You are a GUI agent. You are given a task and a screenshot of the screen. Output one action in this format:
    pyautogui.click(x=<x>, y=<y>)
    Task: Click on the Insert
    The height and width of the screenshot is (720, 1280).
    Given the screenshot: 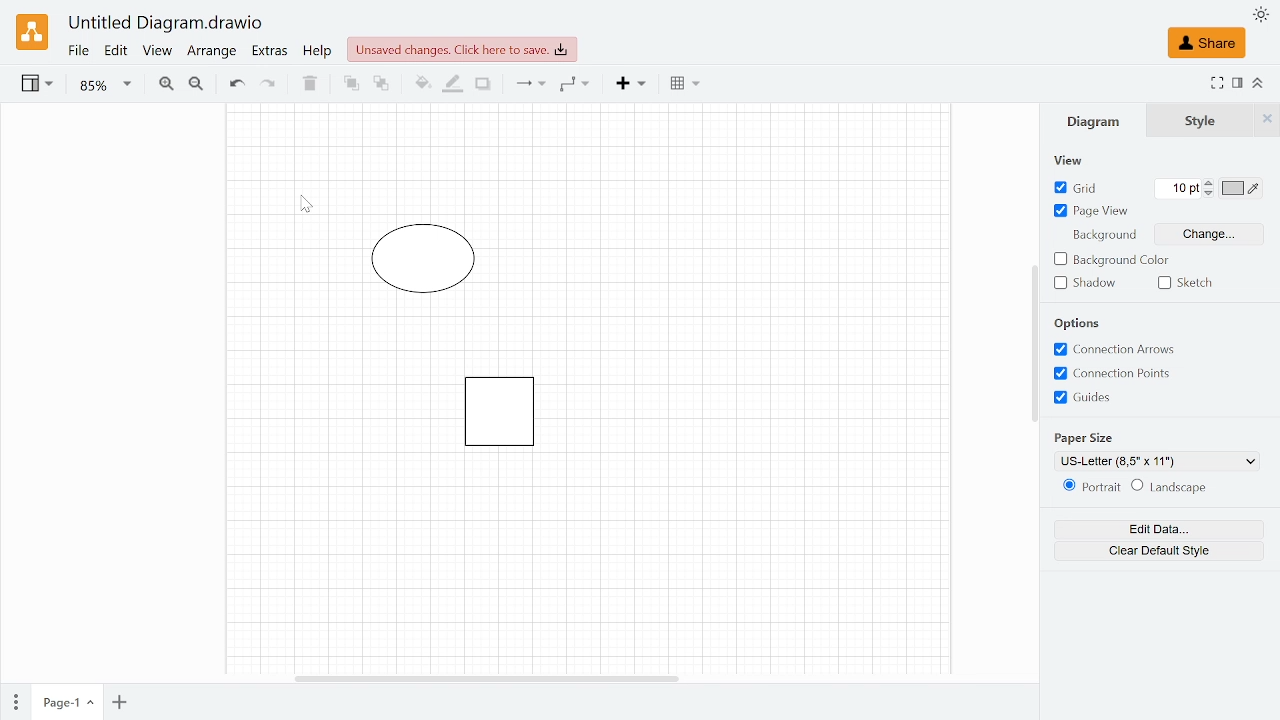 What is the action you would take?
    pyautogui.click(x=632, y=84)
    